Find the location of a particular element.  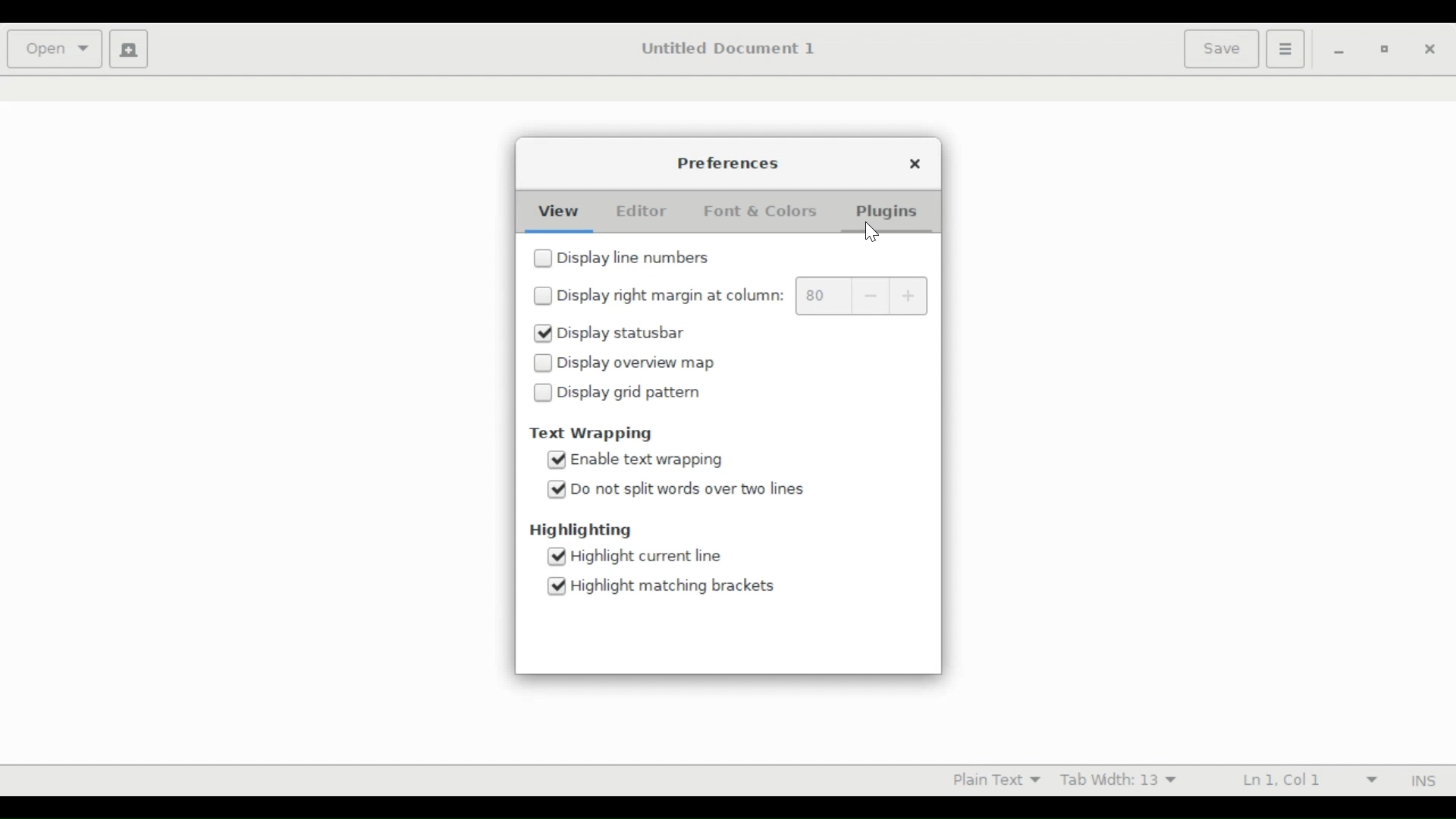

INS is located at coordinates (1420, 780).